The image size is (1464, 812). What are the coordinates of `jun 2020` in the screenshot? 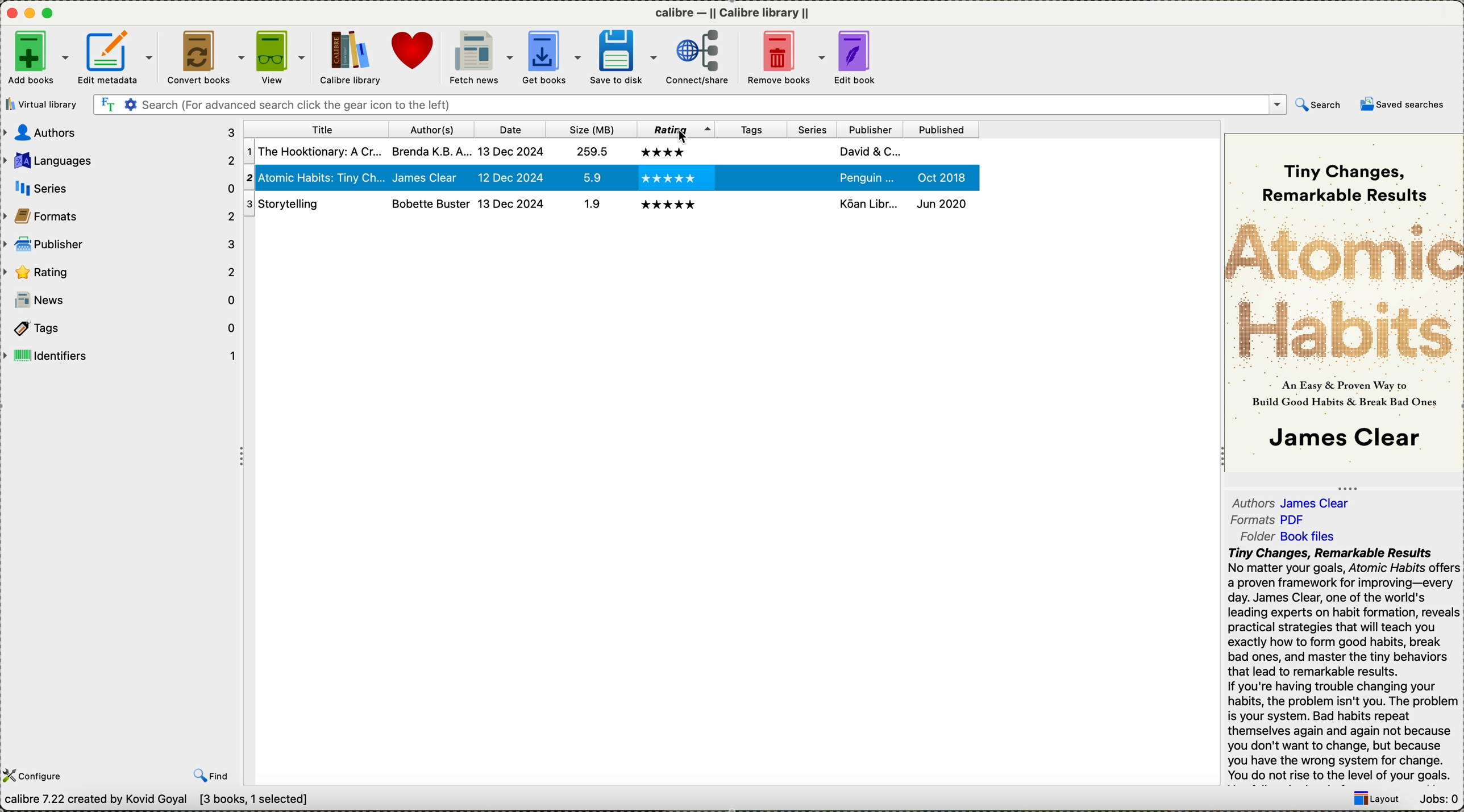 It's located at (942, 202).